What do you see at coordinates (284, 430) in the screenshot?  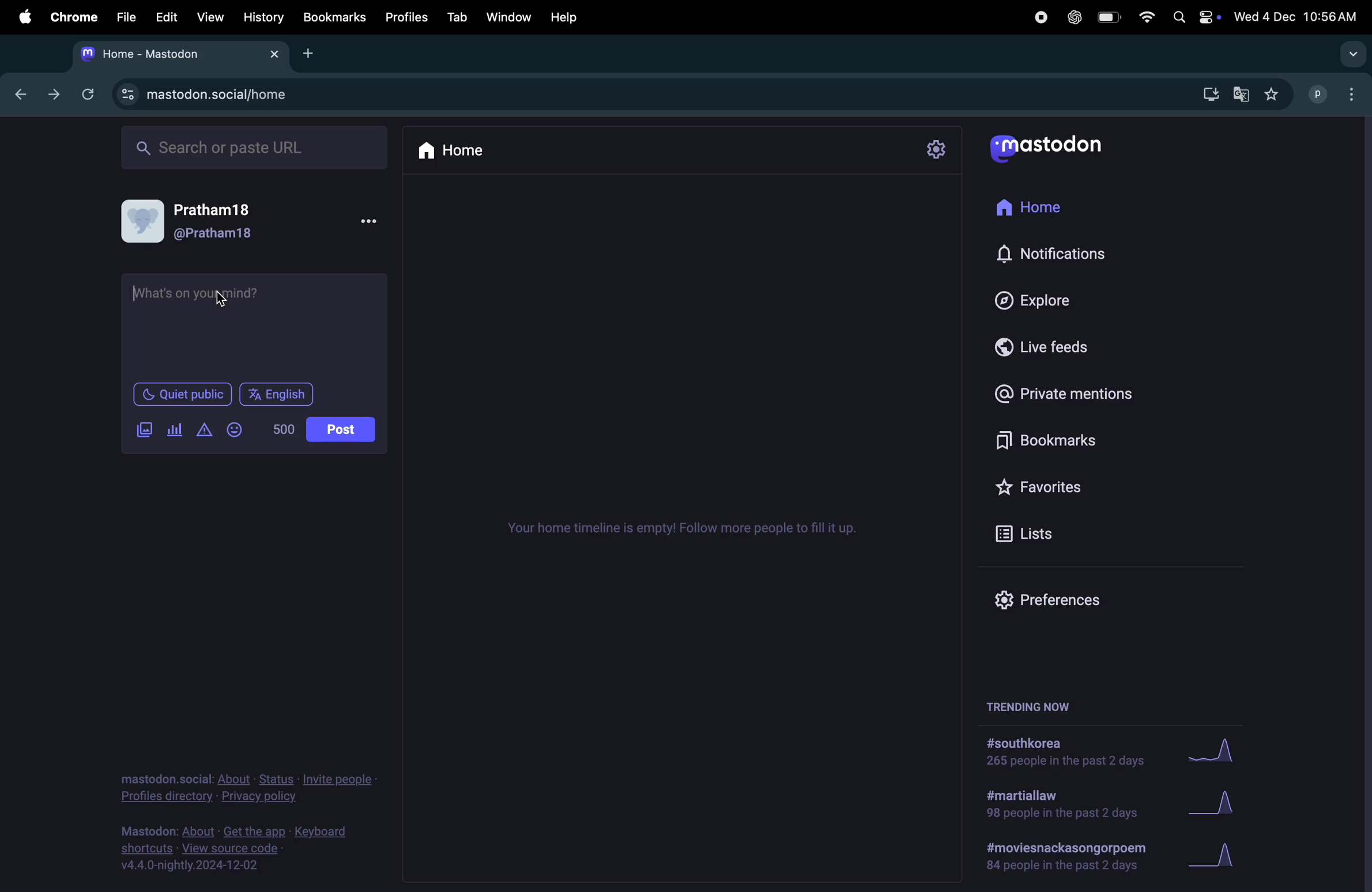 I see `500 words` at bounding box center [284, 430].